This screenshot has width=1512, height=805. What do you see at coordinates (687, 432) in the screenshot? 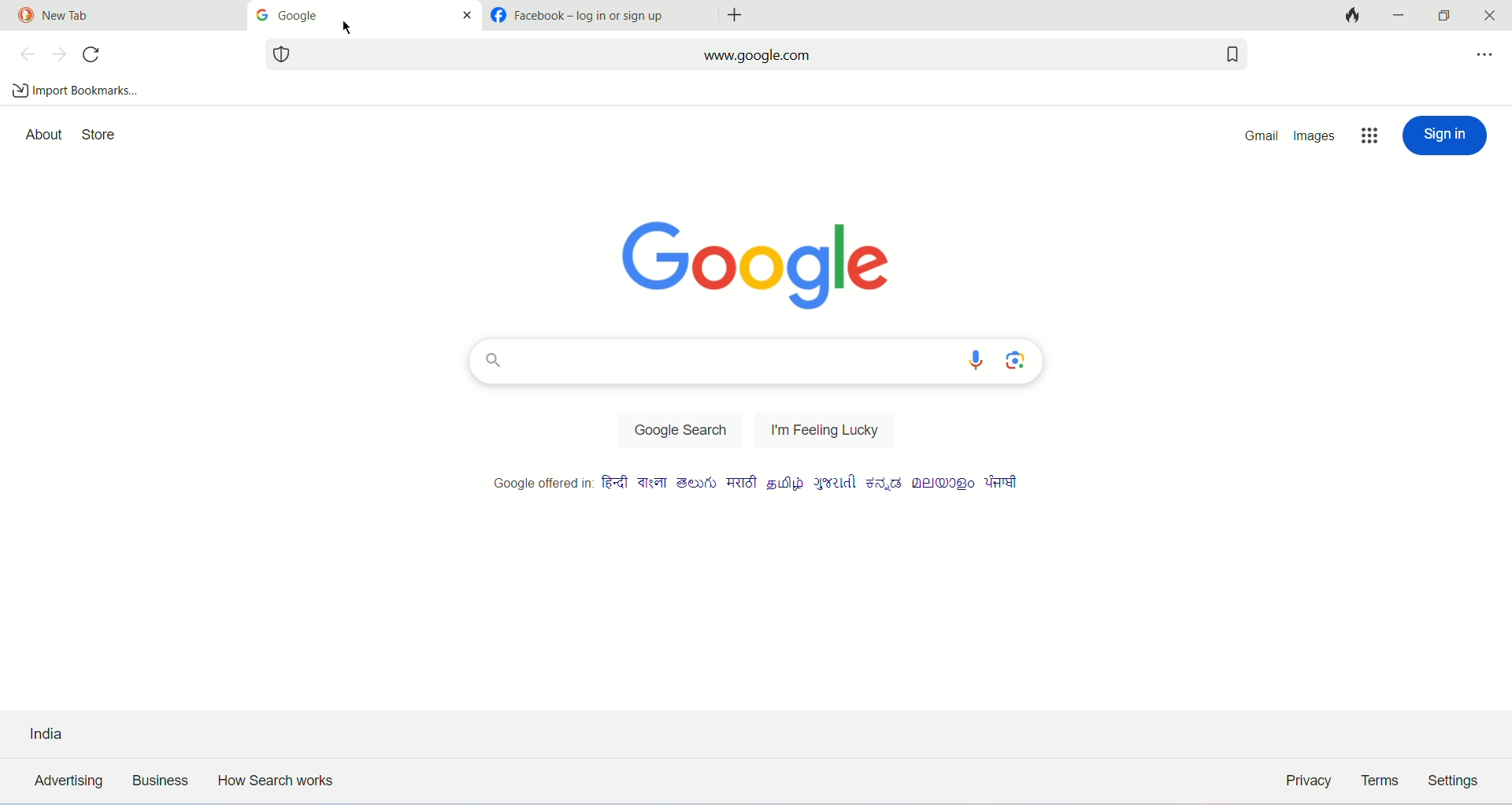
I see `google search` at bounding box center [687, 432].